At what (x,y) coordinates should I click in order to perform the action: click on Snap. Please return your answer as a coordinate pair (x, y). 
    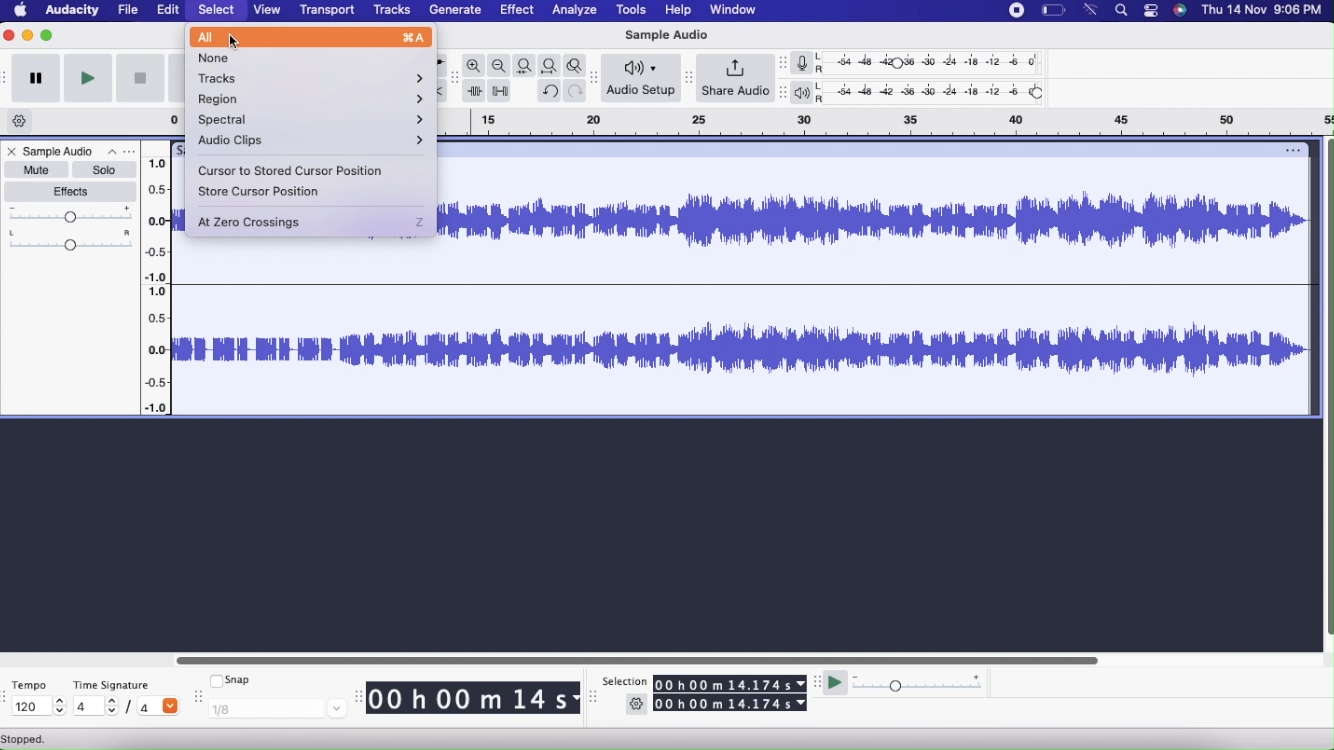
    Looking at the image, I should click on (234, 680).